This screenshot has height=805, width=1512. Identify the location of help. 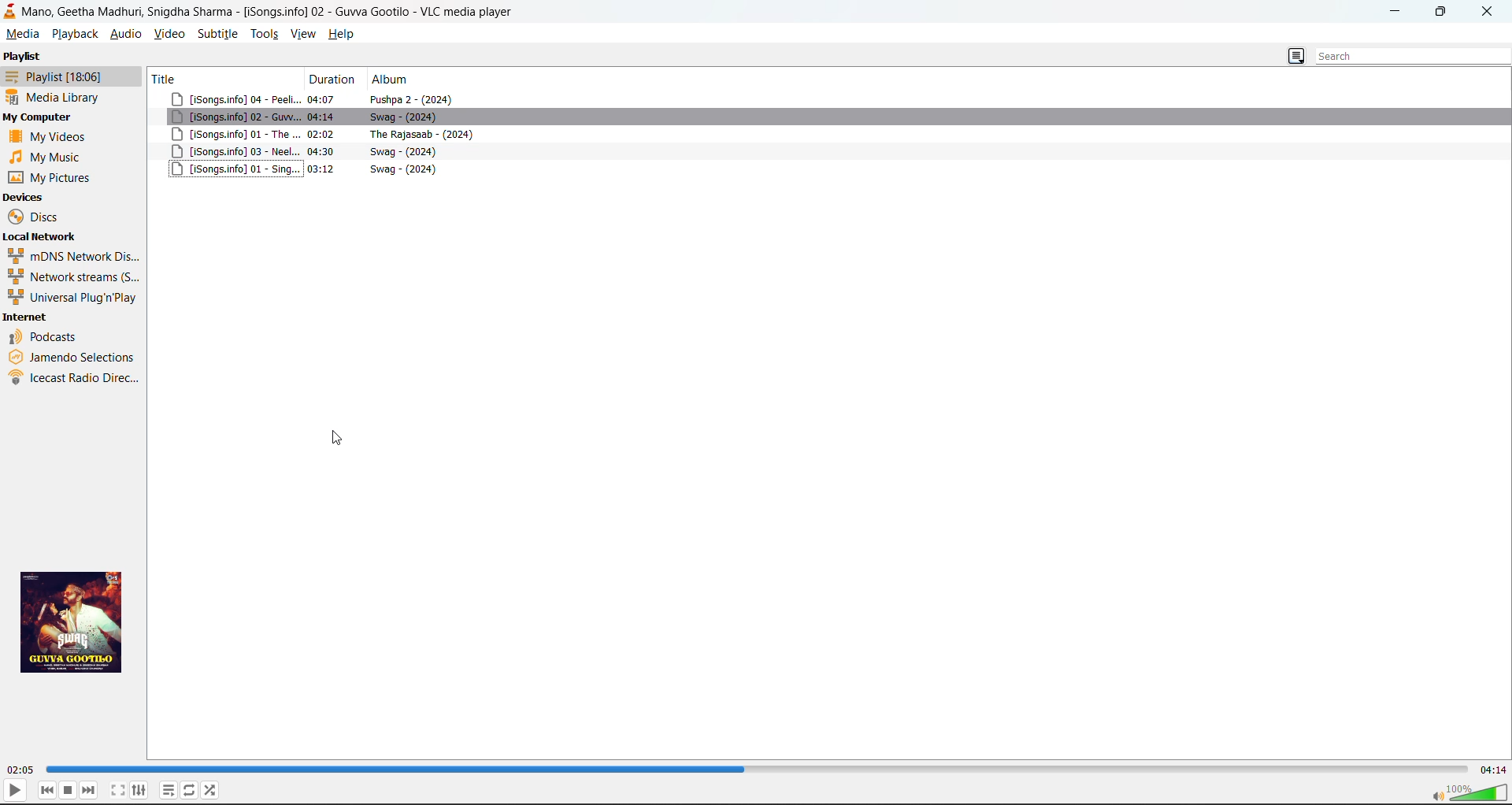
(341, 33).